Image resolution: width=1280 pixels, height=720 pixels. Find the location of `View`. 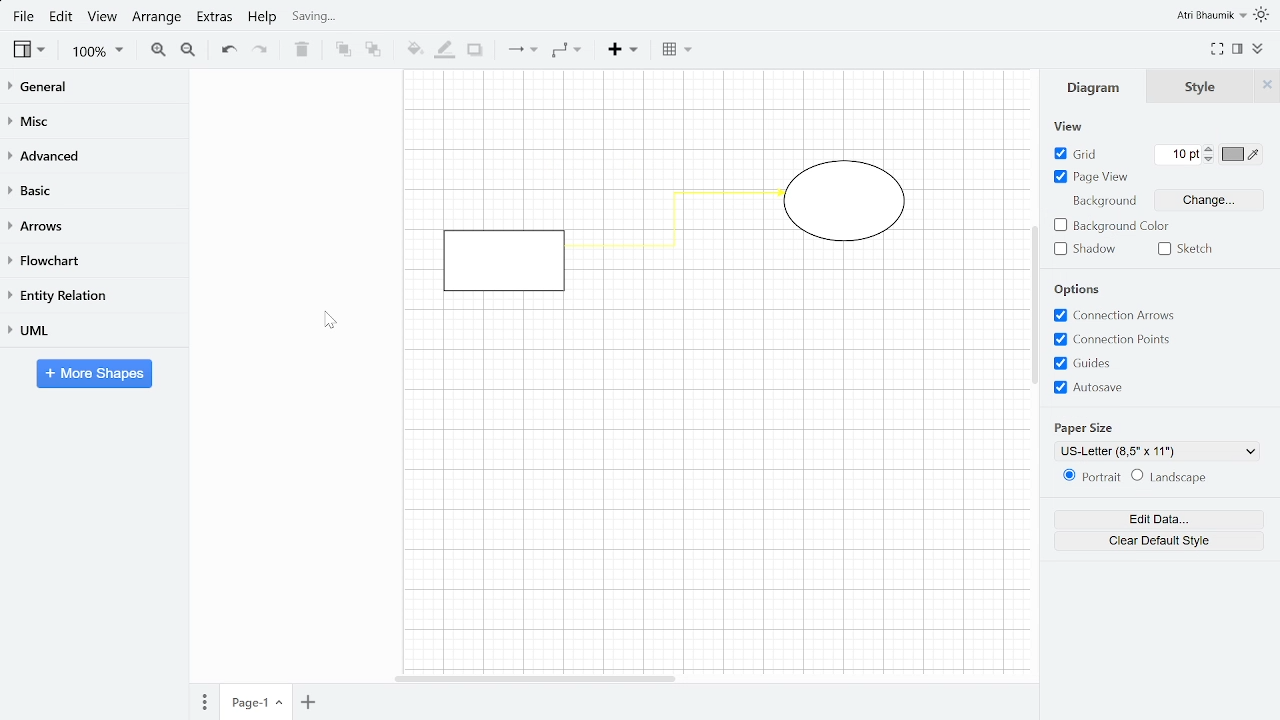

View is located at coordinates (104, 19).